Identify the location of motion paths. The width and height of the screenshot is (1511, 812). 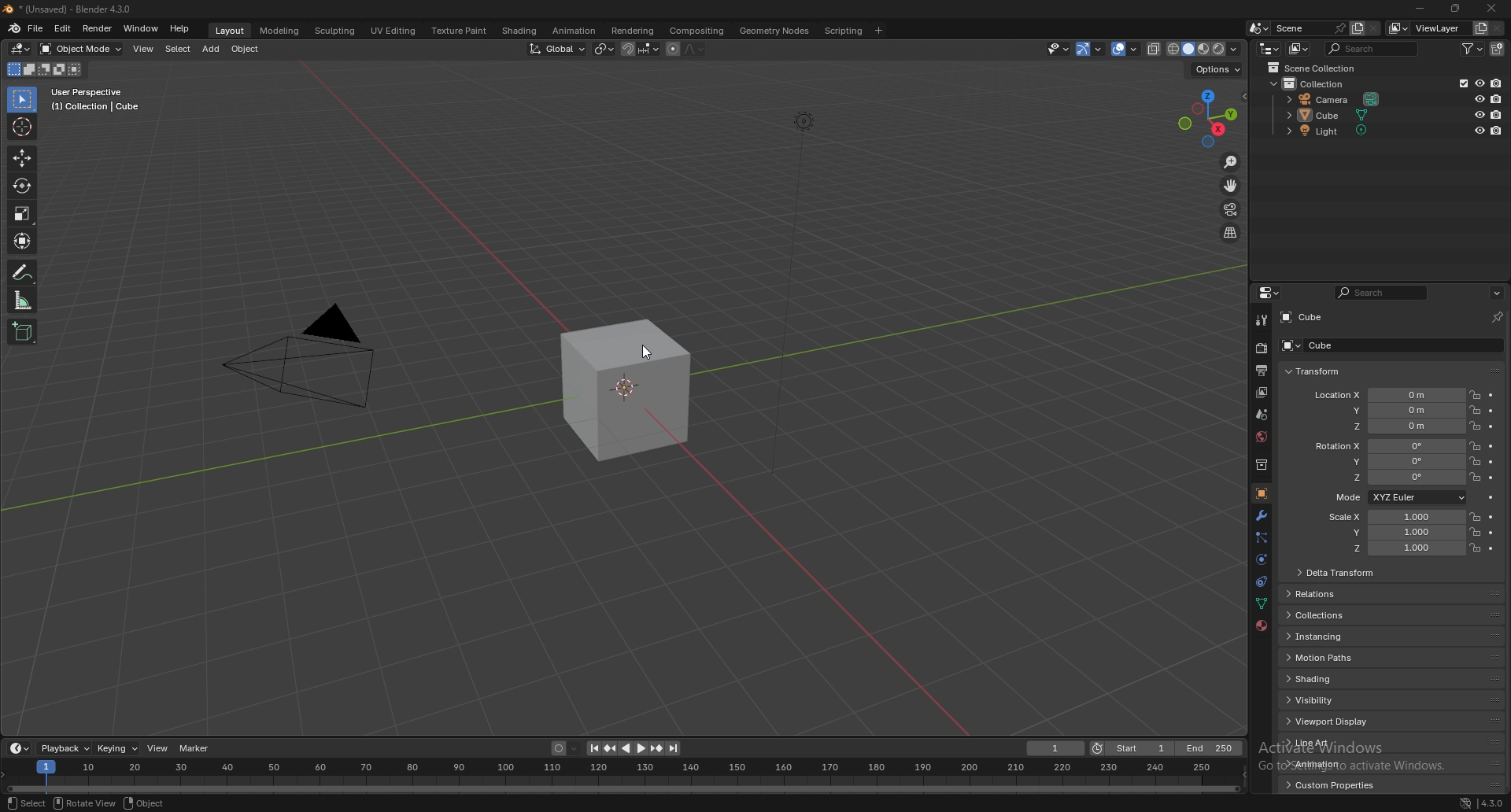
(1334, 657).